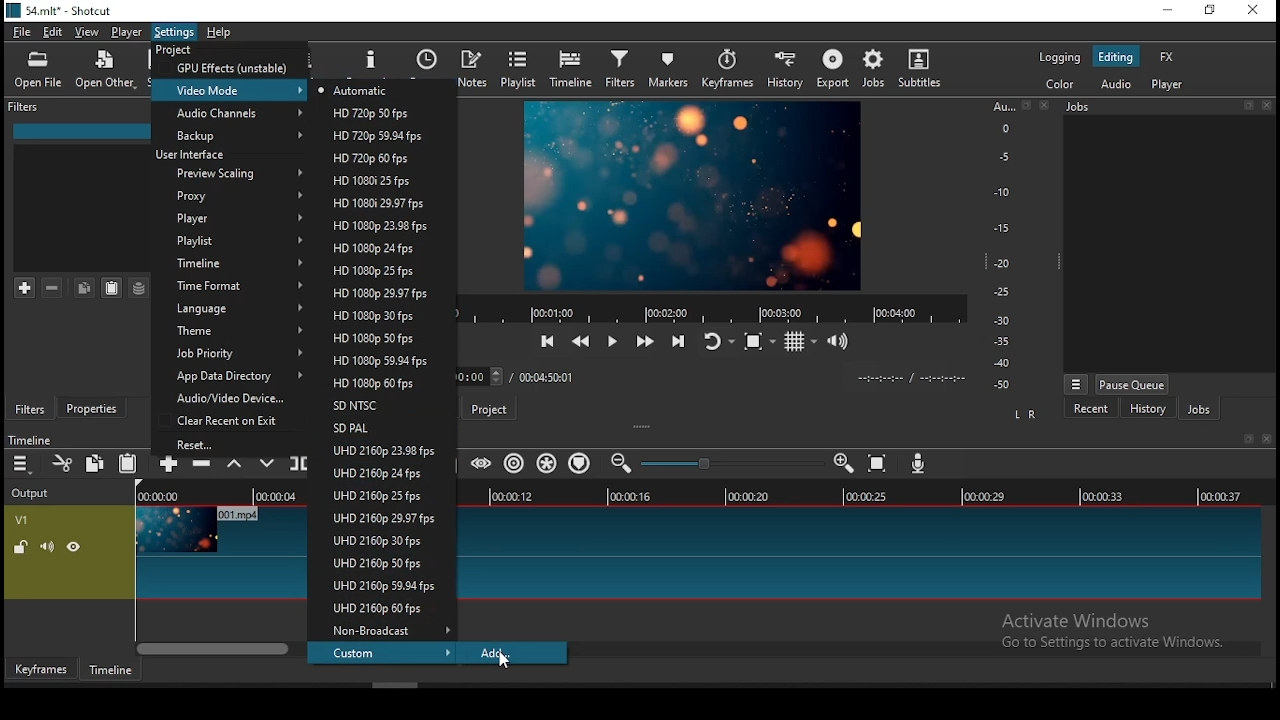 This screenshot has height=720, width=1280. I want to click on project, so click(172, 50).